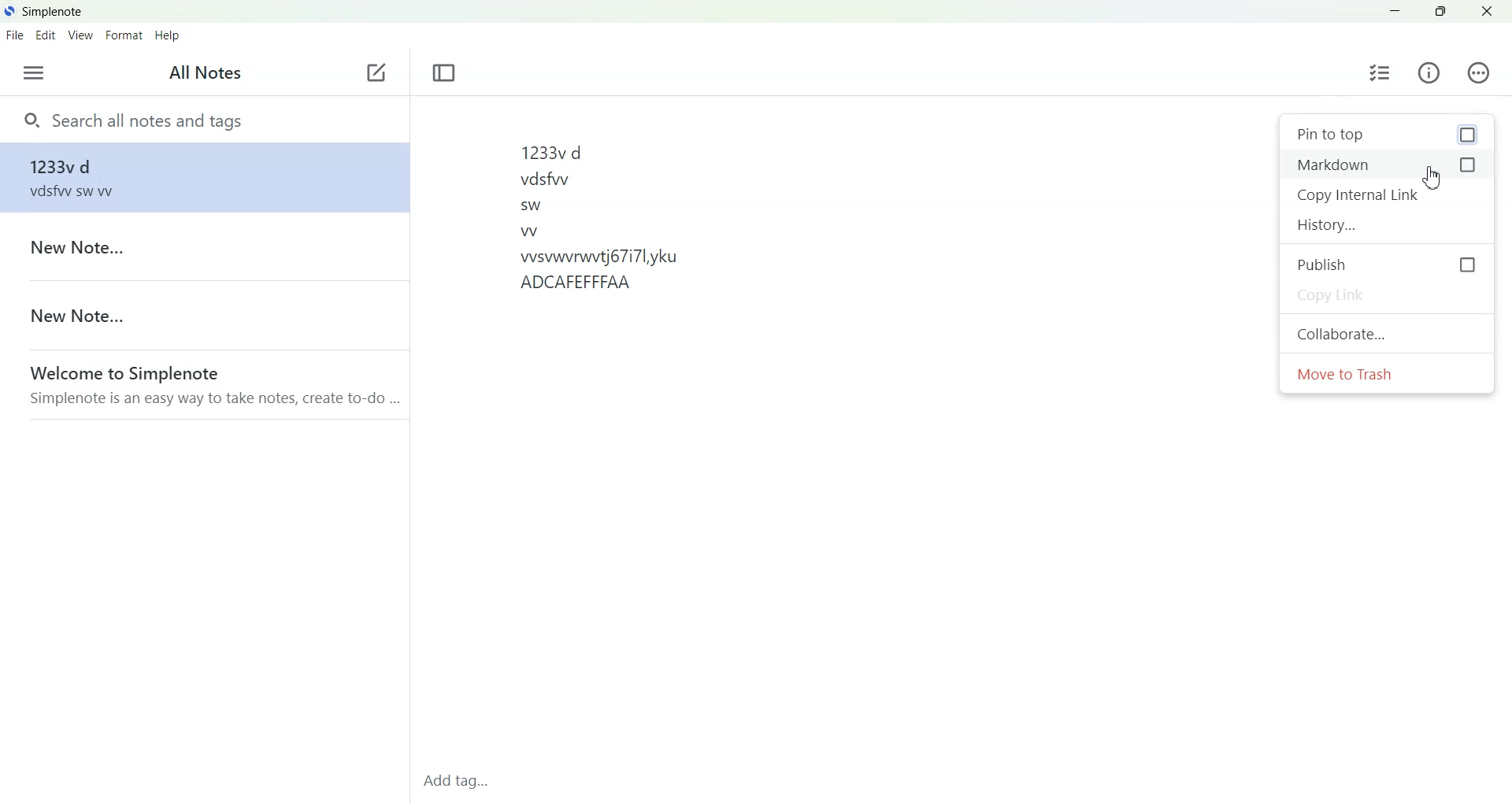  I want to click on Edit, so click(46, 35).